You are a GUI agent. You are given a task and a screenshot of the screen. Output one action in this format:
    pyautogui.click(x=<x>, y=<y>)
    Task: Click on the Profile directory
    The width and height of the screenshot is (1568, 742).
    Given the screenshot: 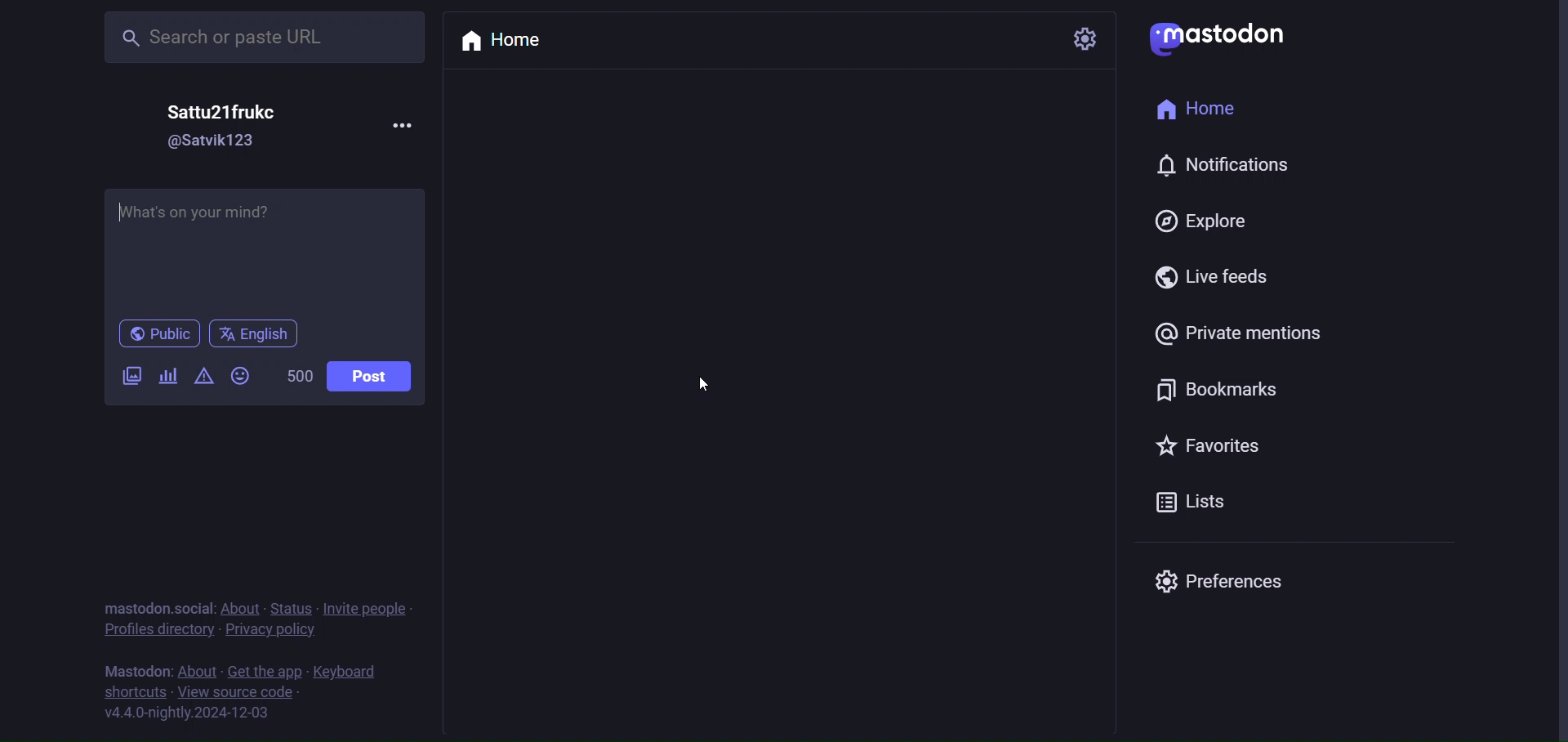 What is the action you would take?
    pyautogui.click(x=154, y=632)
    